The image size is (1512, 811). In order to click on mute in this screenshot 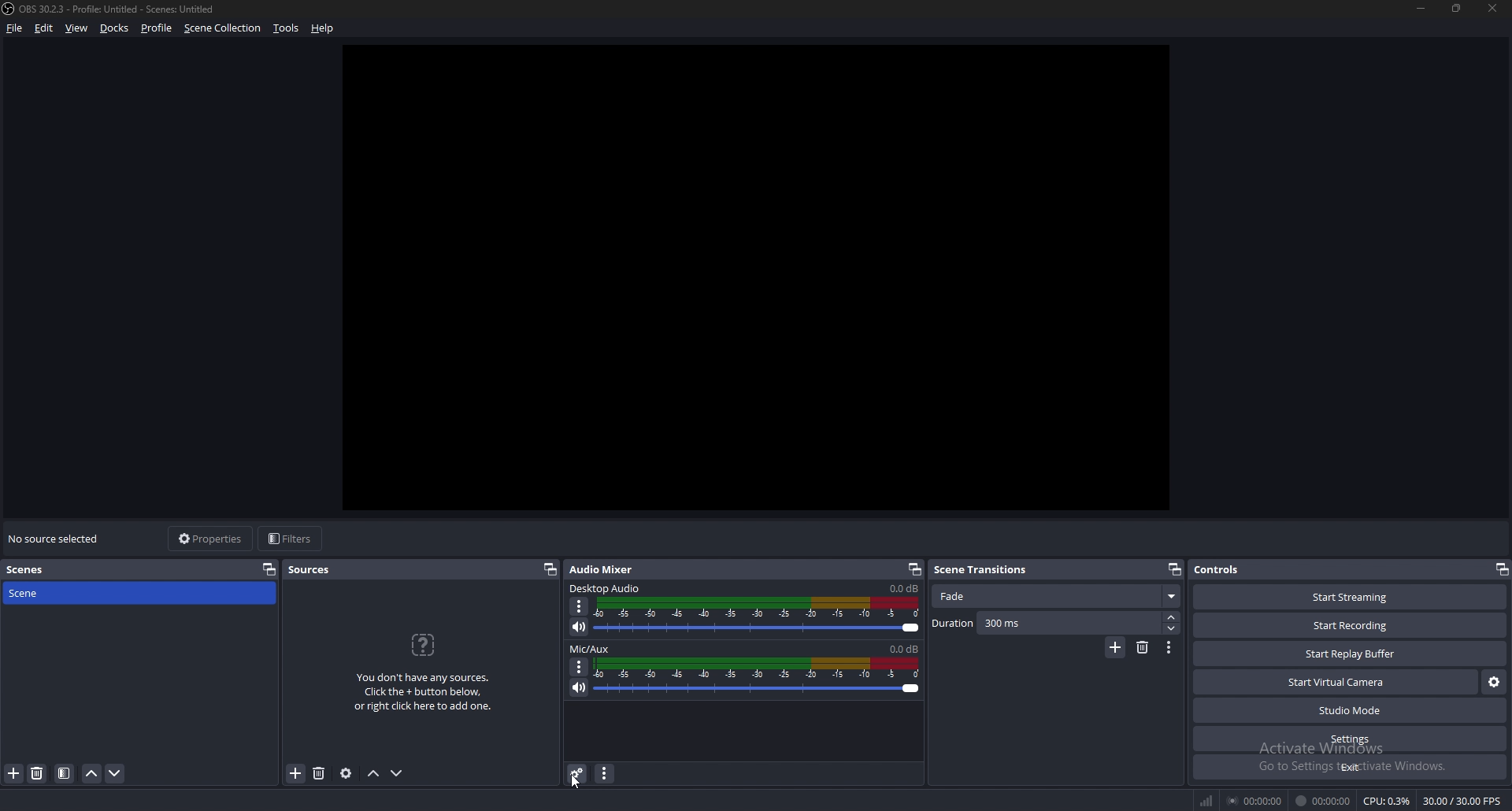, I will do `click(580, 628)`.